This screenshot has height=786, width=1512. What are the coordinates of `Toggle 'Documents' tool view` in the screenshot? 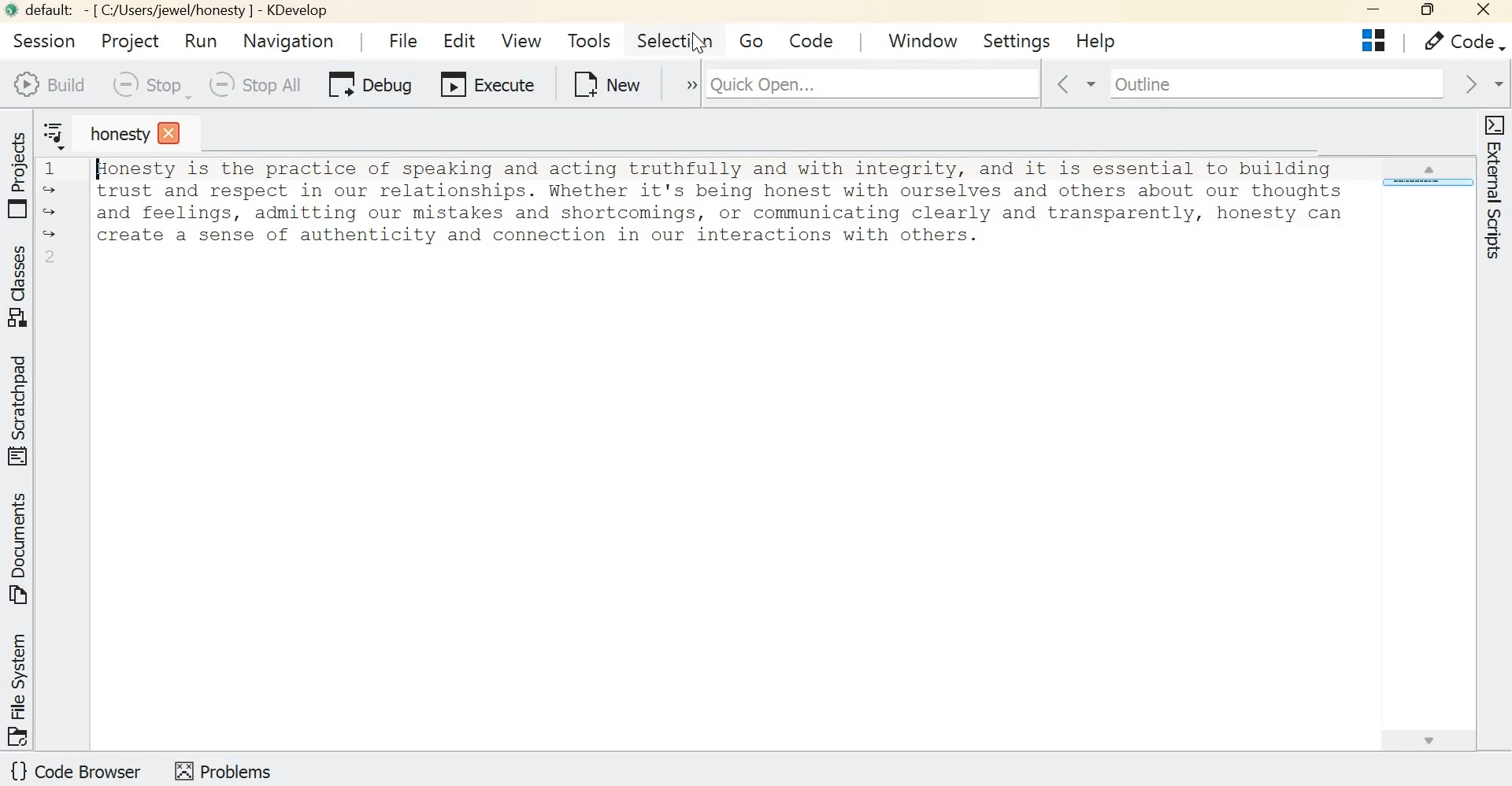 It's located at (21, 550).